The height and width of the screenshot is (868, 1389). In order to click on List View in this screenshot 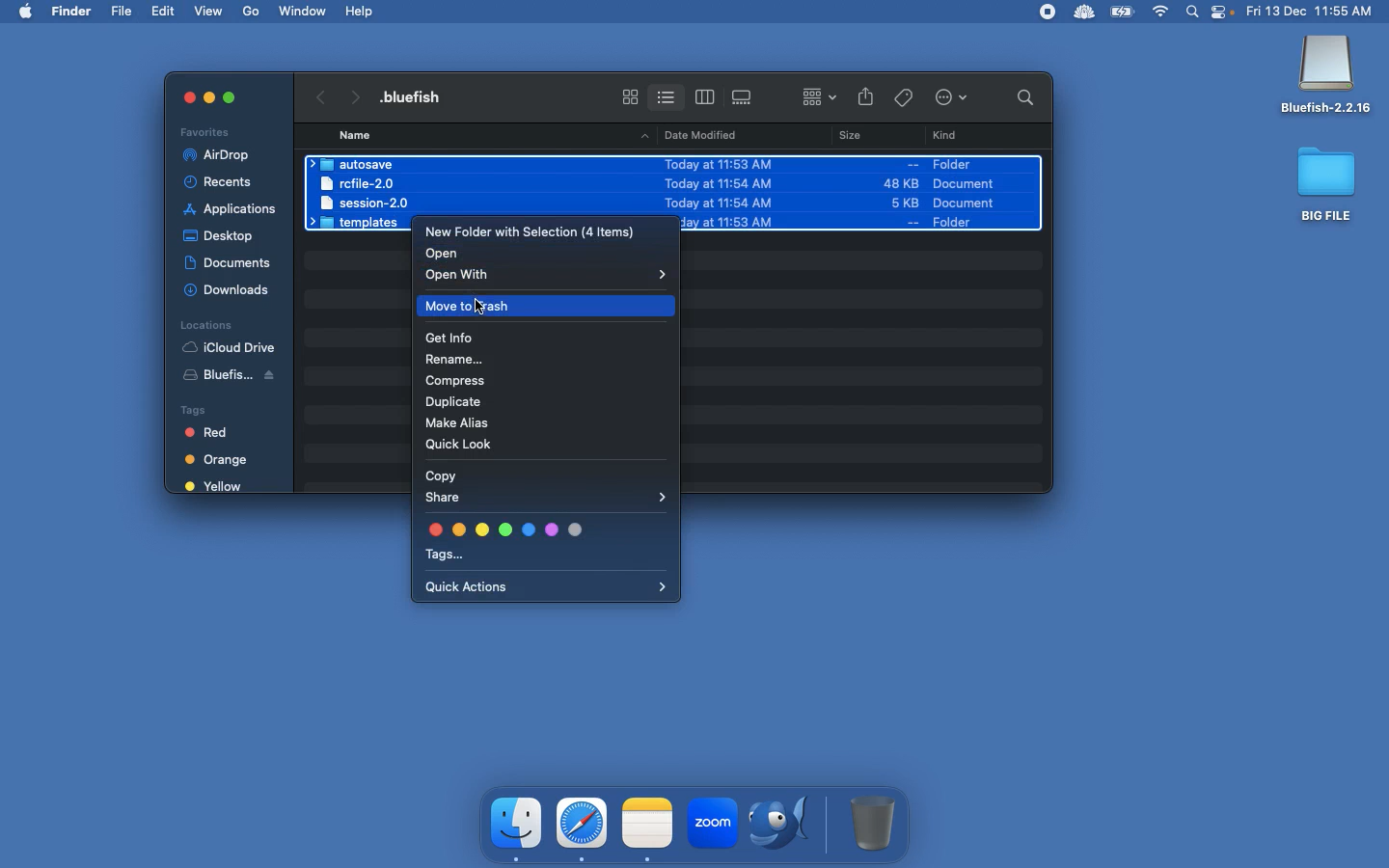, I will do `click(666, 94)`.